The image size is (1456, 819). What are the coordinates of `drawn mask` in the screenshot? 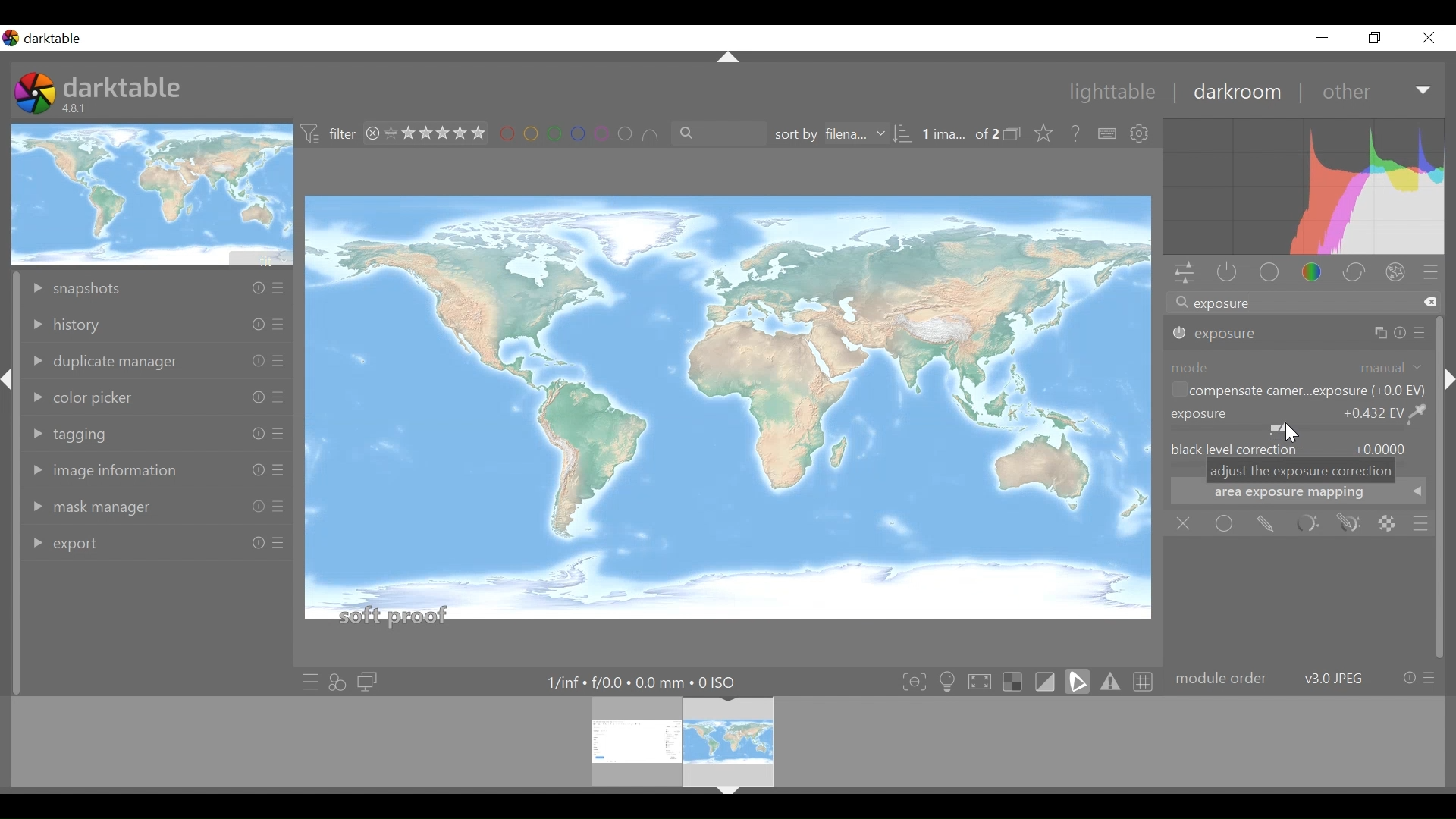 It's located at (1264, 524).